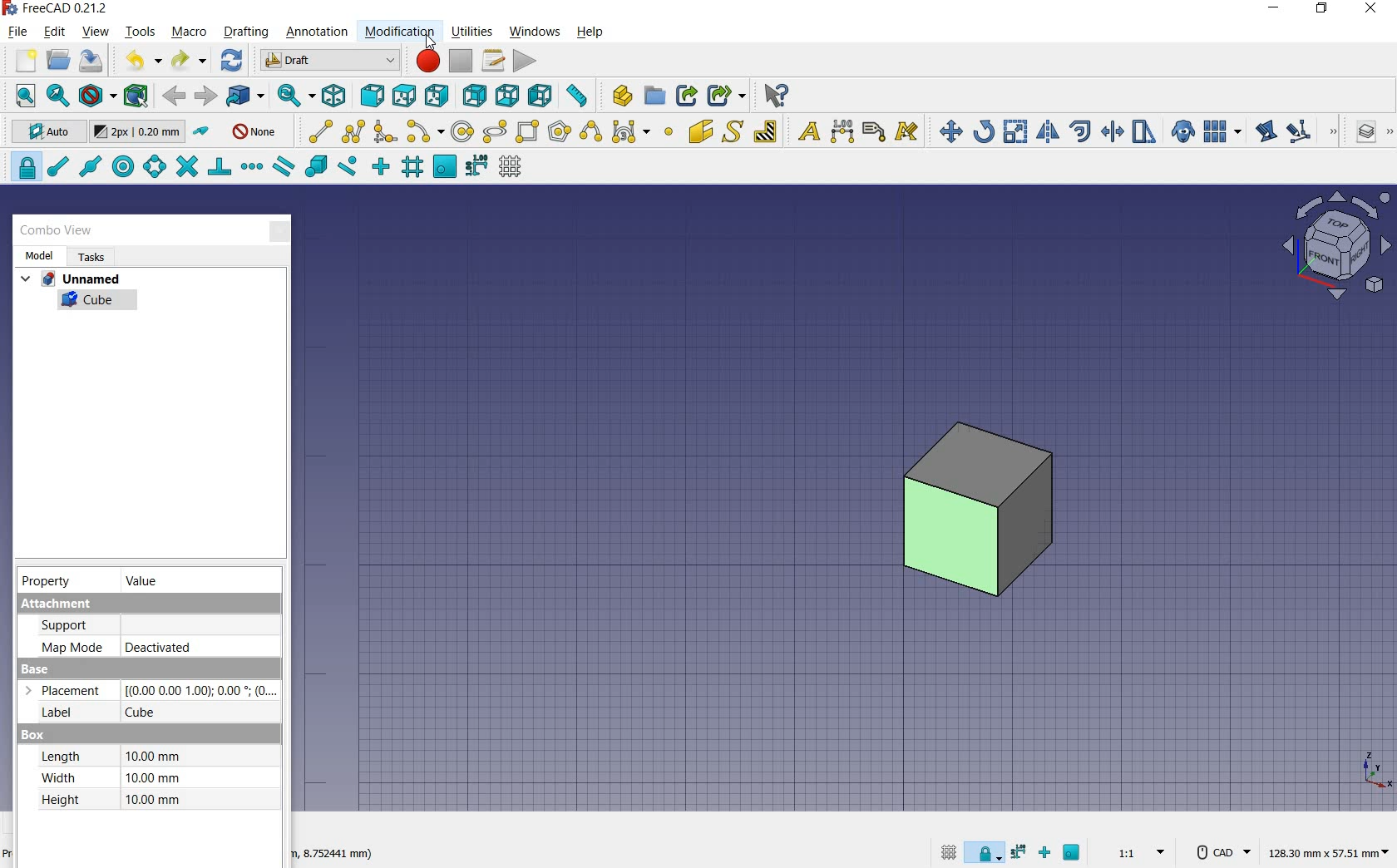  I want to click on toggle construction mode, so click(203, 132).